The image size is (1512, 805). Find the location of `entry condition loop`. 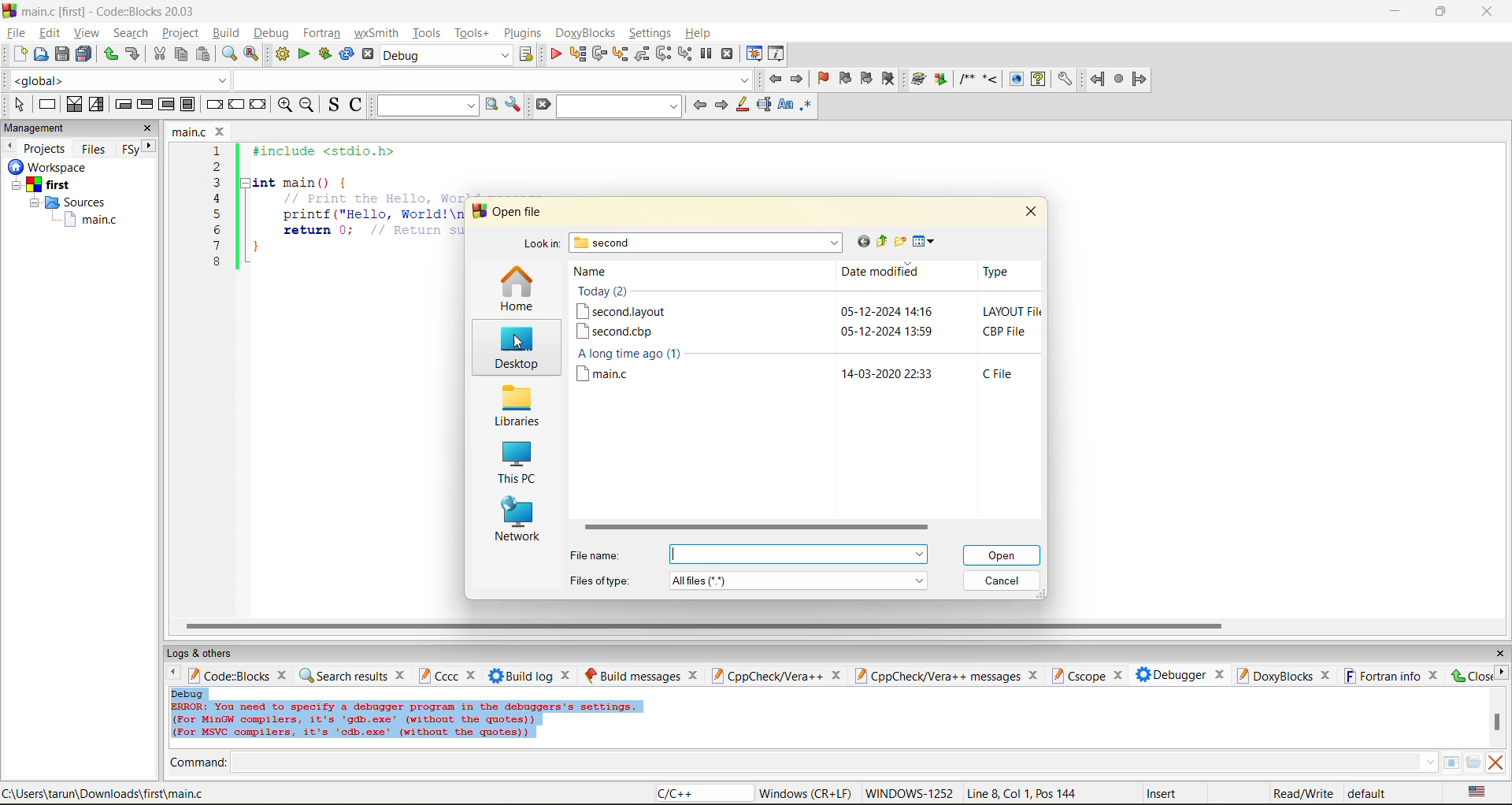

entry condition loop is located at coordinates (123, 104).